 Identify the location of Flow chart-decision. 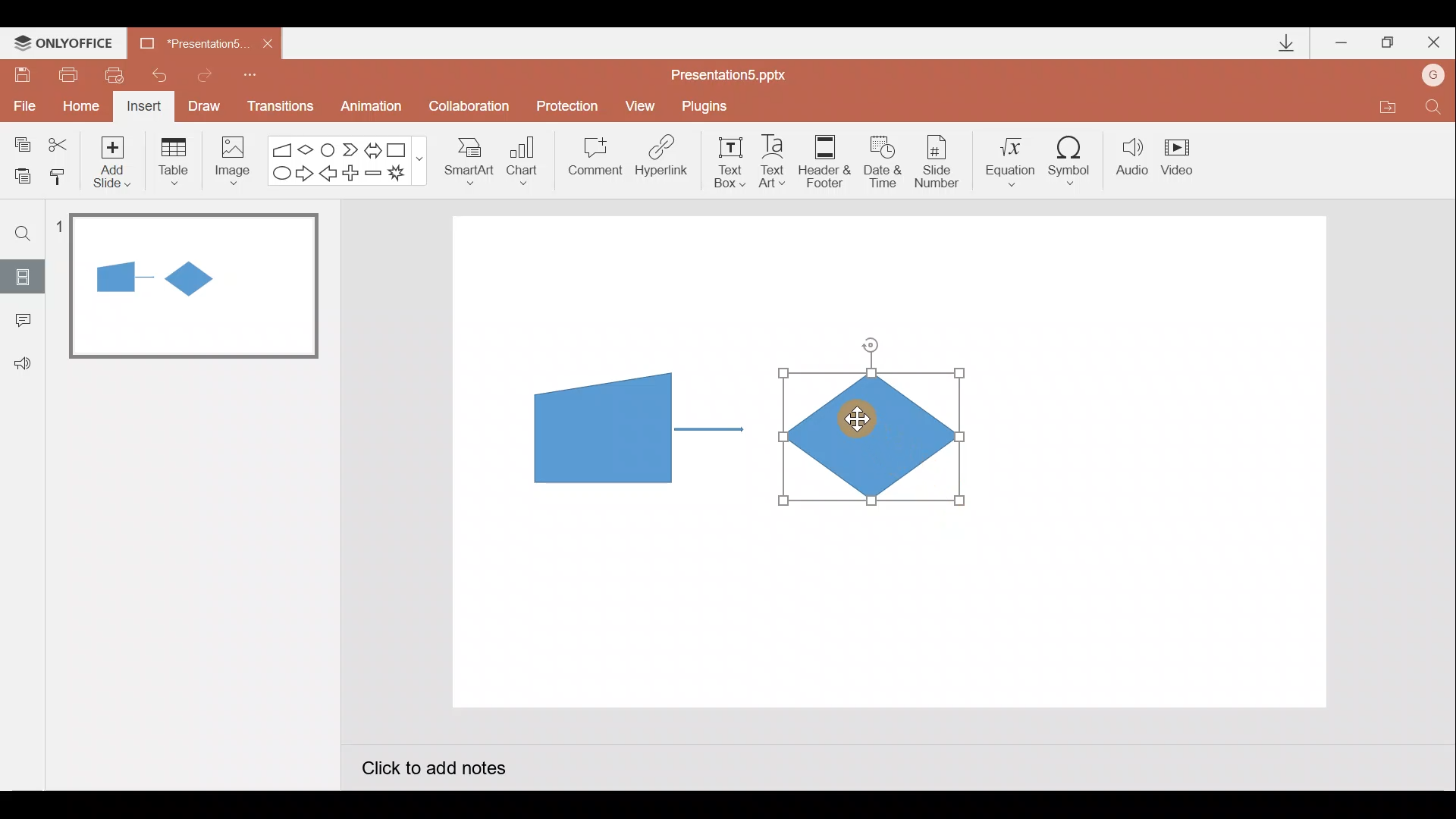
(308, 149).